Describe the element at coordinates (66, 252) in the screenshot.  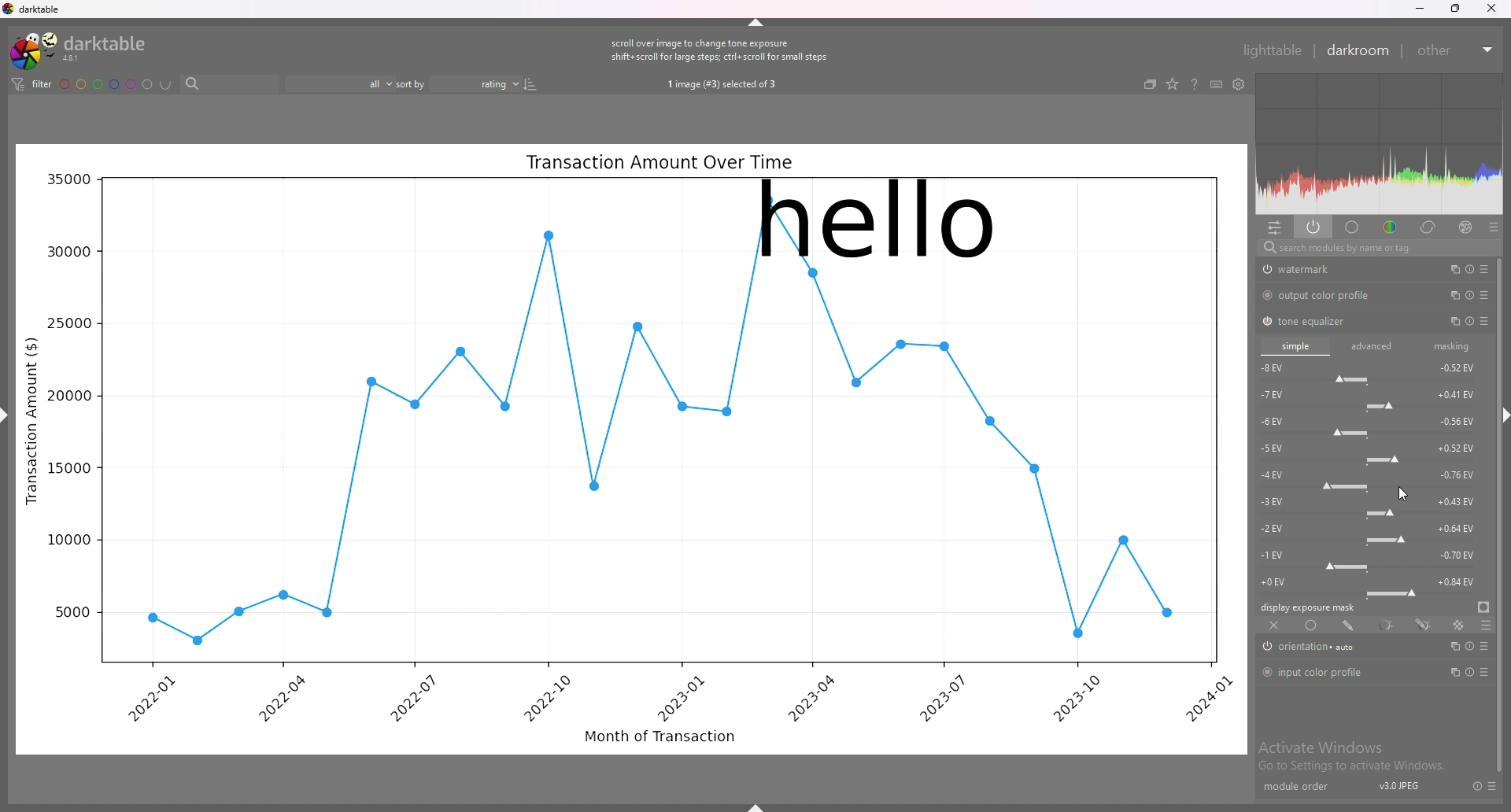
I see `30000` at that location.